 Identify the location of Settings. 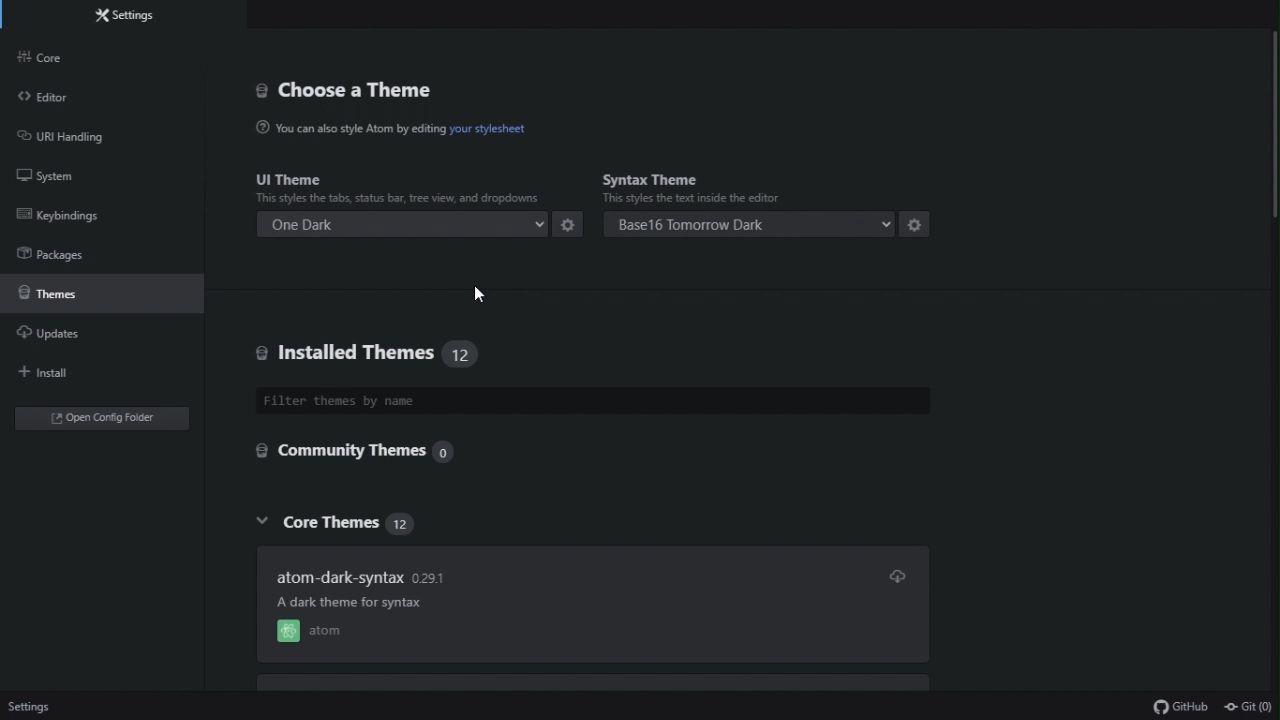
(31, 707).